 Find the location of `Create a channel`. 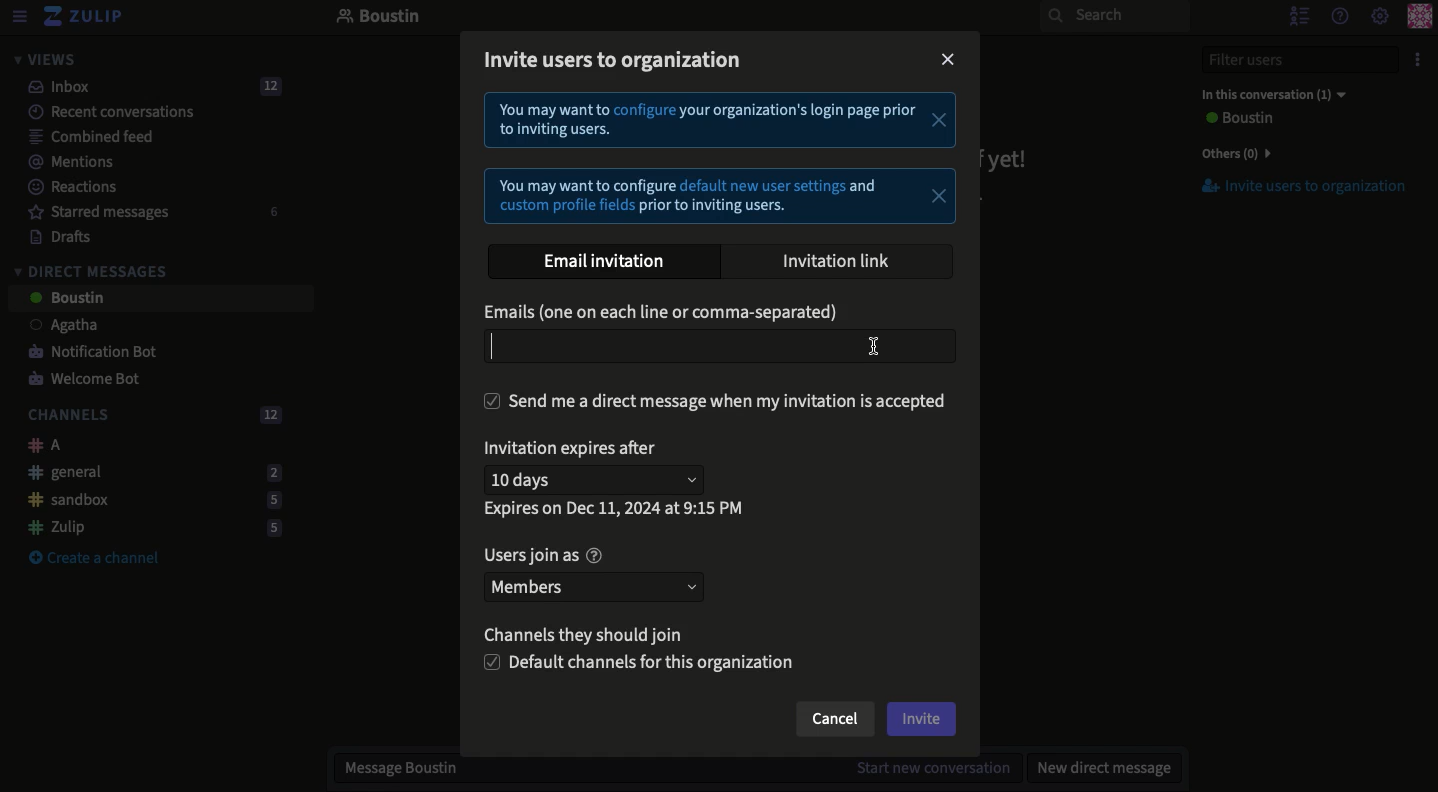

Create a channel is located at coordinates (94, 559).